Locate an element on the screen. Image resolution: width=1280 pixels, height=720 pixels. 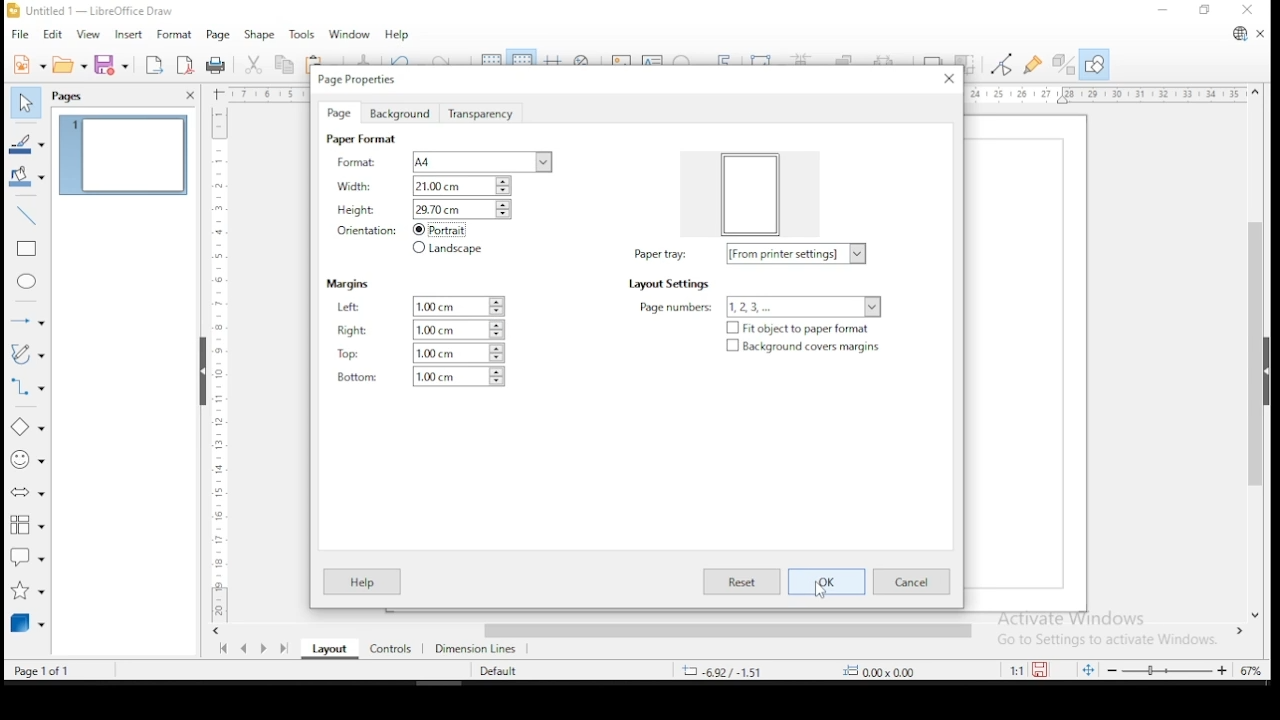
Print is located at coordinates (216, 64).